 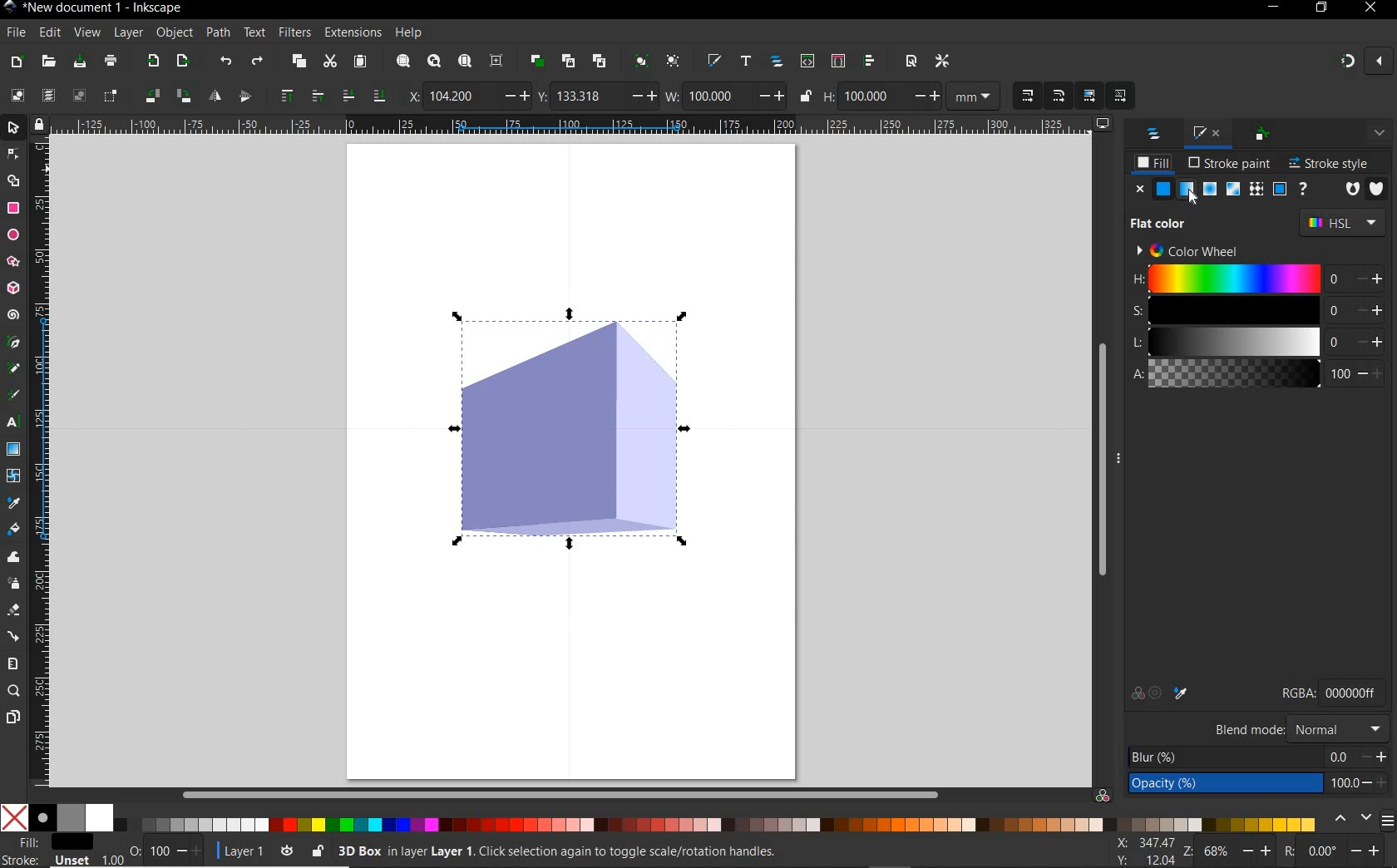 What do you see at coordinates (134, 847) in the screenshot?
I see `OPACITY` at bounding box center [134, 847].